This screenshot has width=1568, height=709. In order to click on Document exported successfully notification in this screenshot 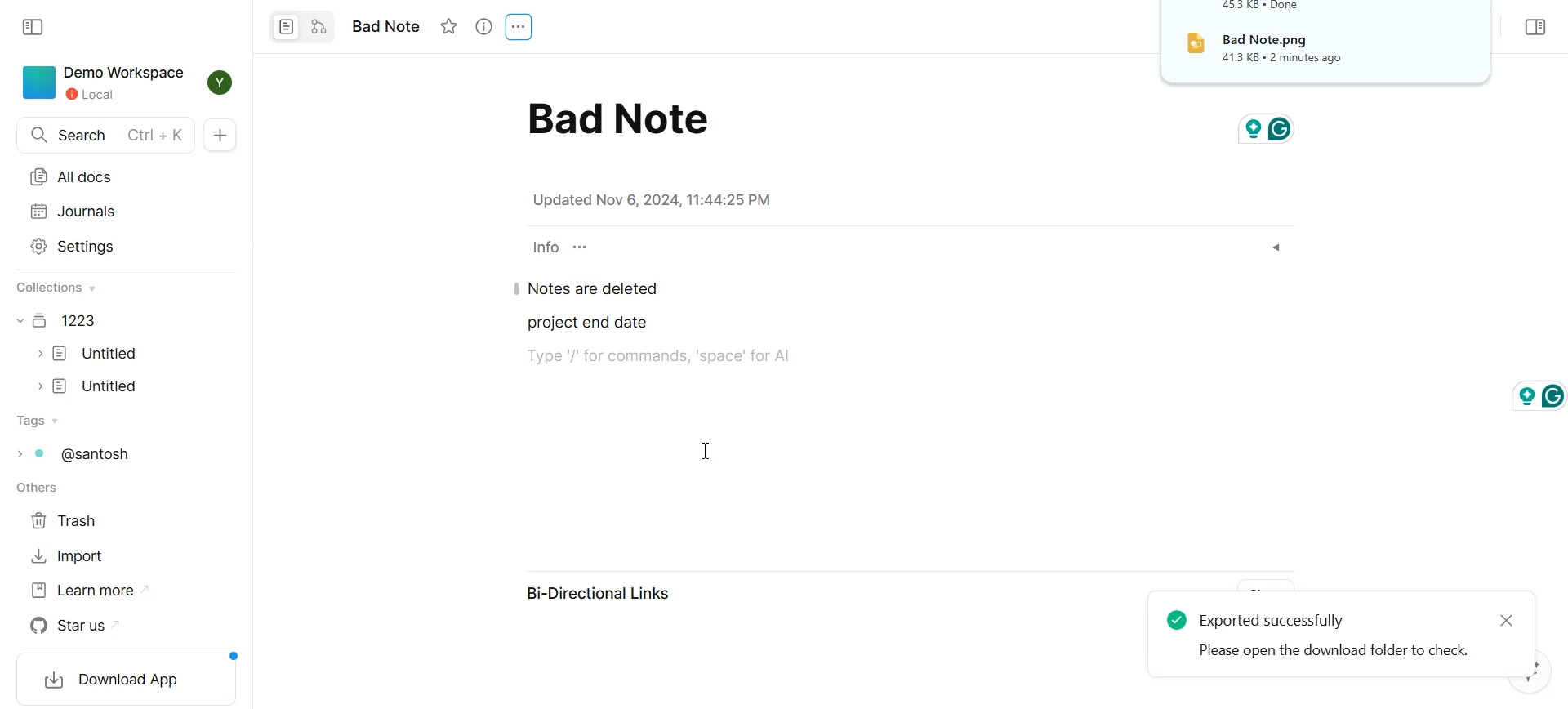, I will do `click(1334, 636)`.